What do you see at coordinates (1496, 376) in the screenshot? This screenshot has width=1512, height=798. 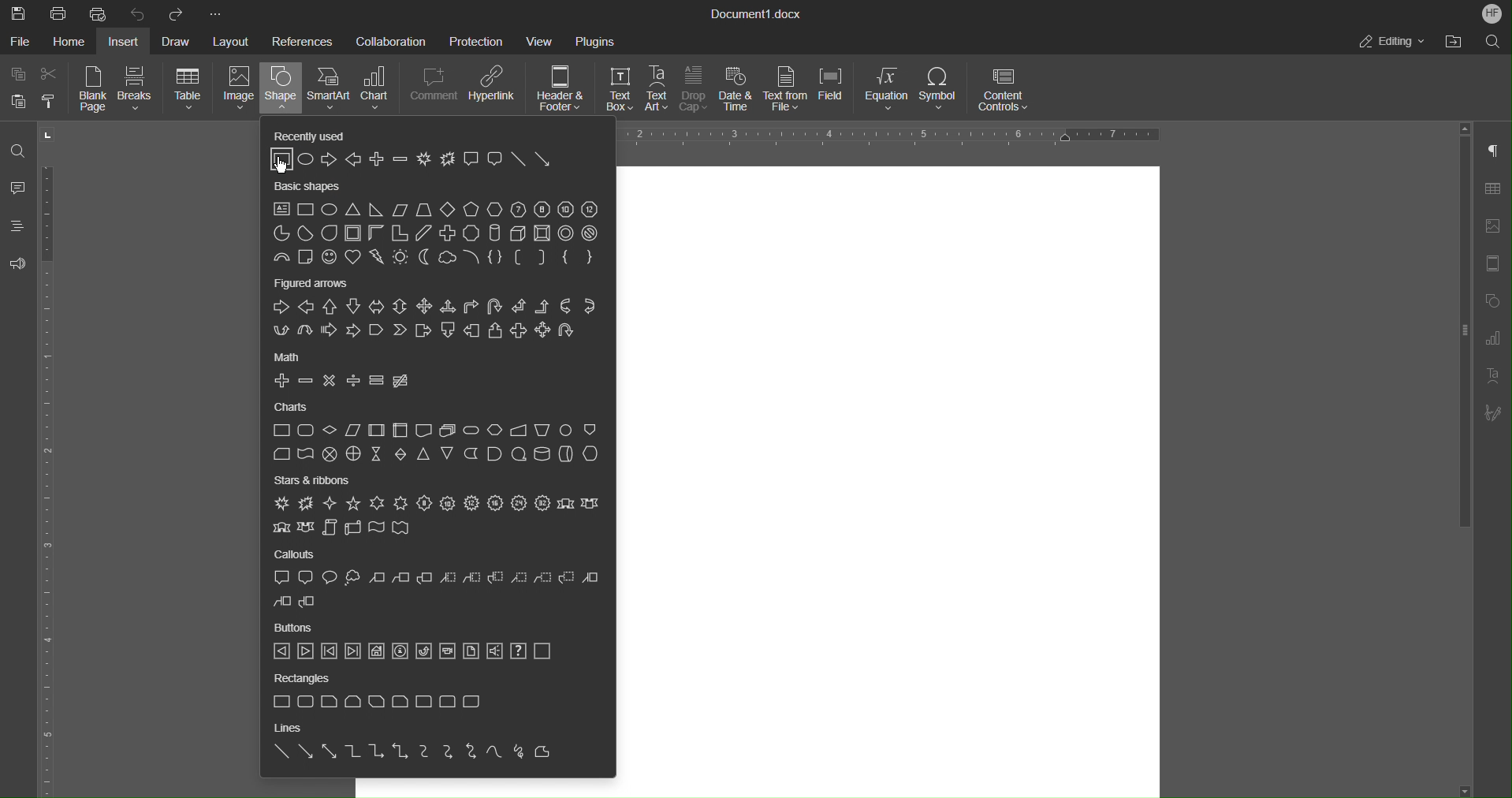 I see `Text Art` at bounding box center [1496, 376].